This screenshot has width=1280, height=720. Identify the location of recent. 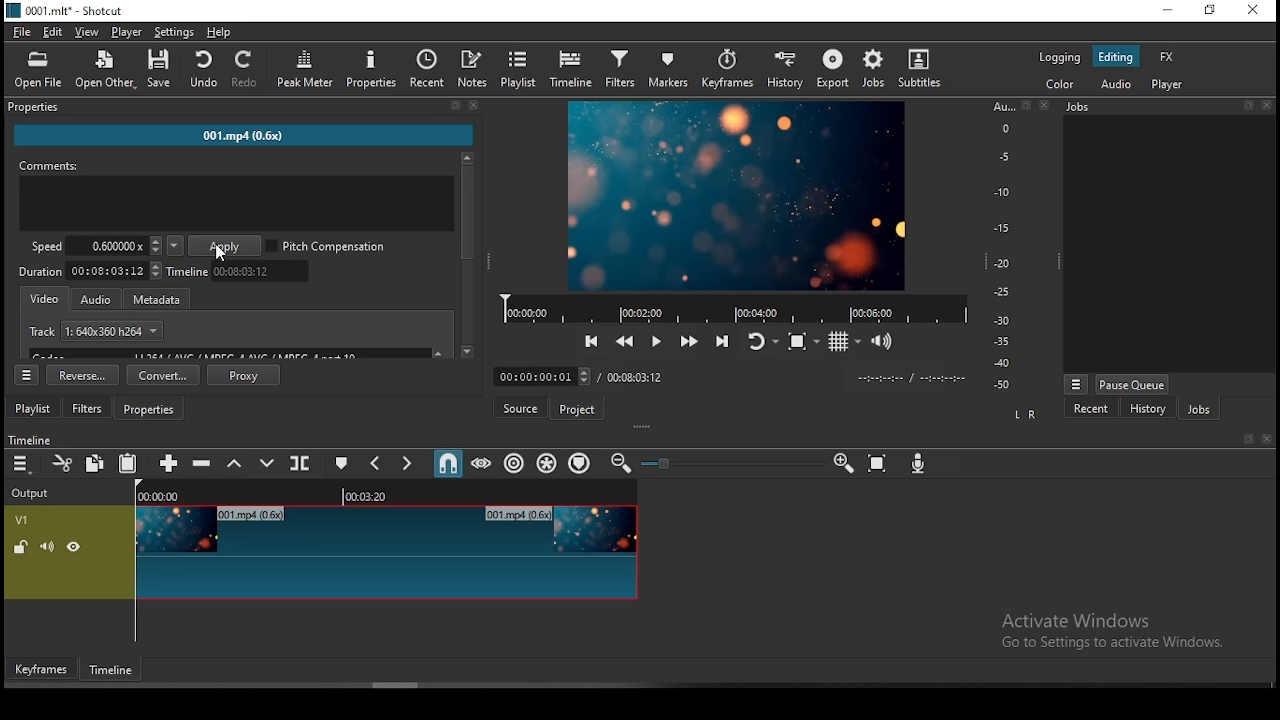
(1094, 408).